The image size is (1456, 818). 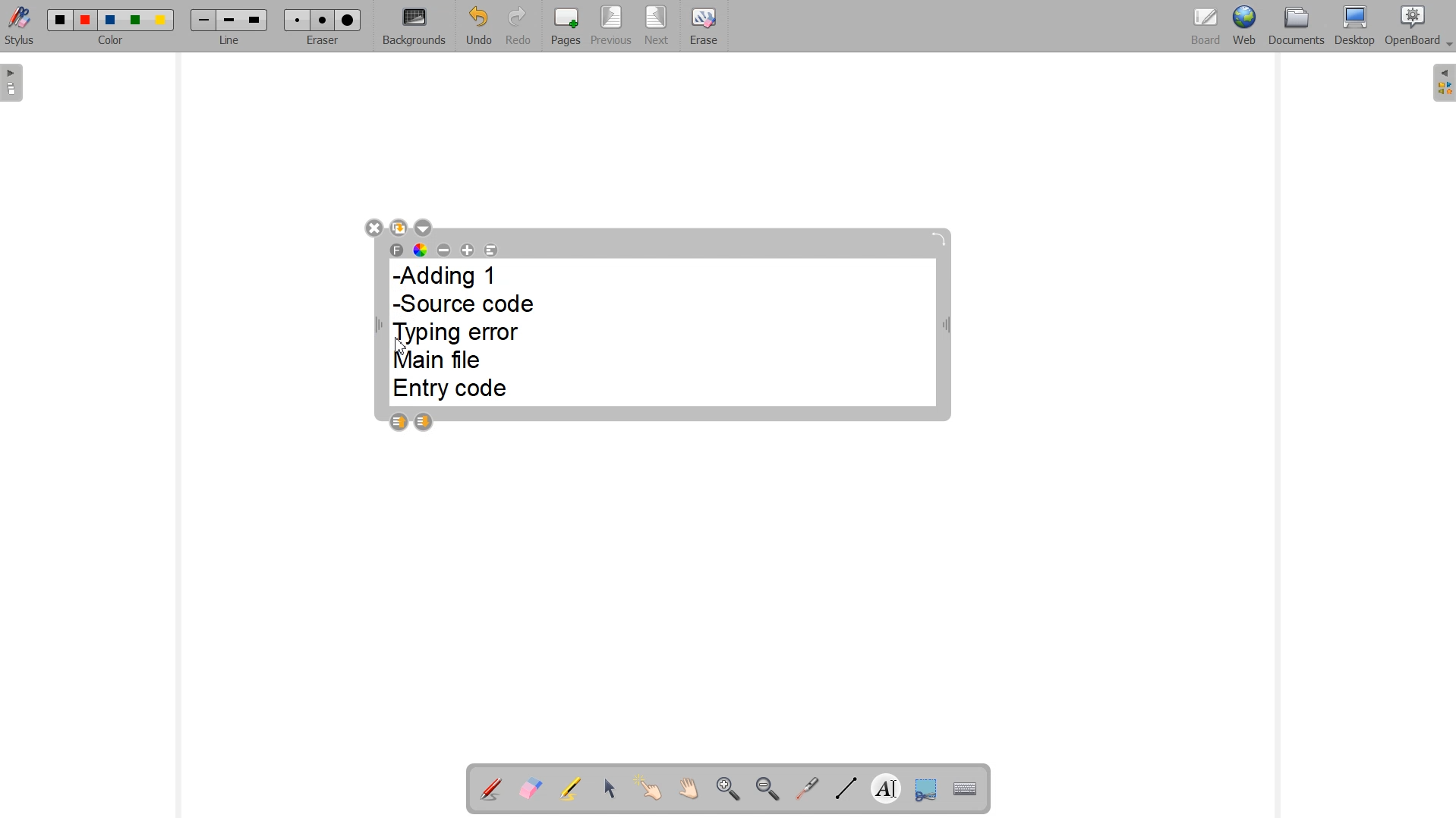 What do you see at coordinates (610, 788) in the screenshot?
I see `Select and modify objects` at bounding box center [610, 788].